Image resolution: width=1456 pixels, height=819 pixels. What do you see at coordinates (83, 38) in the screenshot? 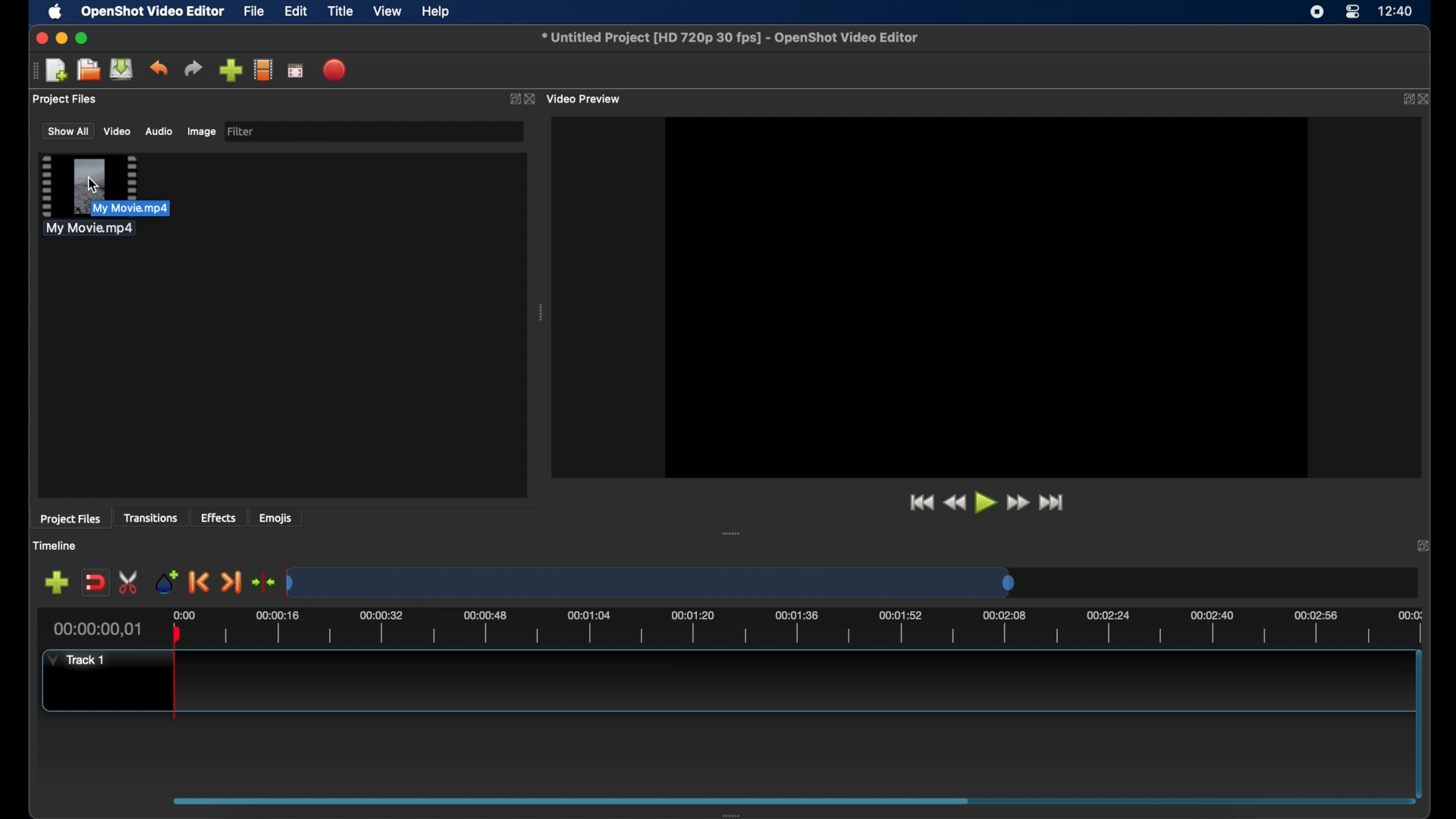
I see `maximize` at bounding box center [83, 38].